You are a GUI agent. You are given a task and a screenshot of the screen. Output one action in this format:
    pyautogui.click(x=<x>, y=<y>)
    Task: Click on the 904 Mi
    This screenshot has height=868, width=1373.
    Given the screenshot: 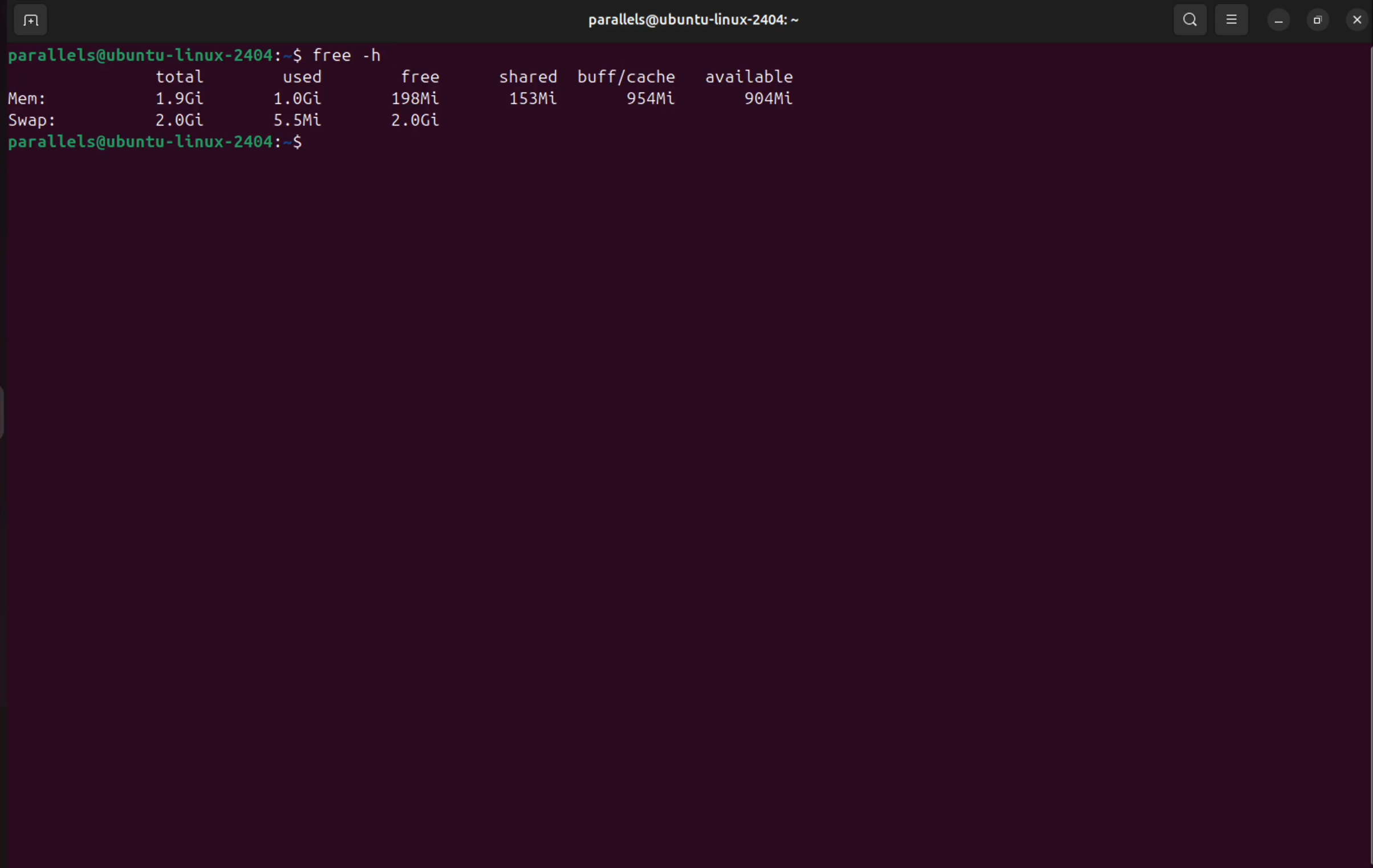 What is the action you would take?
    pyautogui.click(x=769, y=100)
    